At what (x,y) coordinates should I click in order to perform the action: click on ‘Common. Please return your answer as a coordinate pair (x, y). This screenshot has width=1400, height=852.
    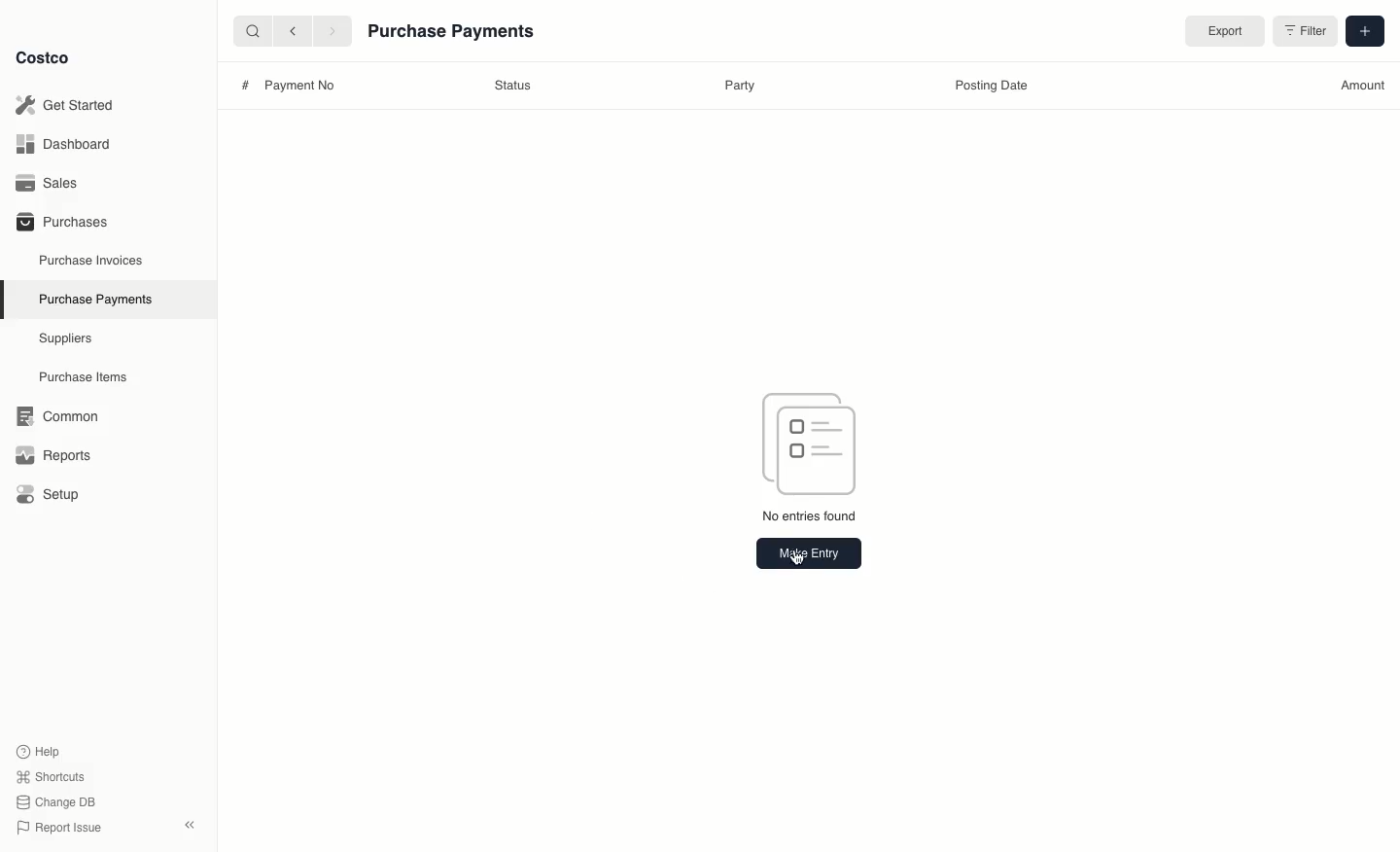
    Looking at the image, I should click on (61, 413).